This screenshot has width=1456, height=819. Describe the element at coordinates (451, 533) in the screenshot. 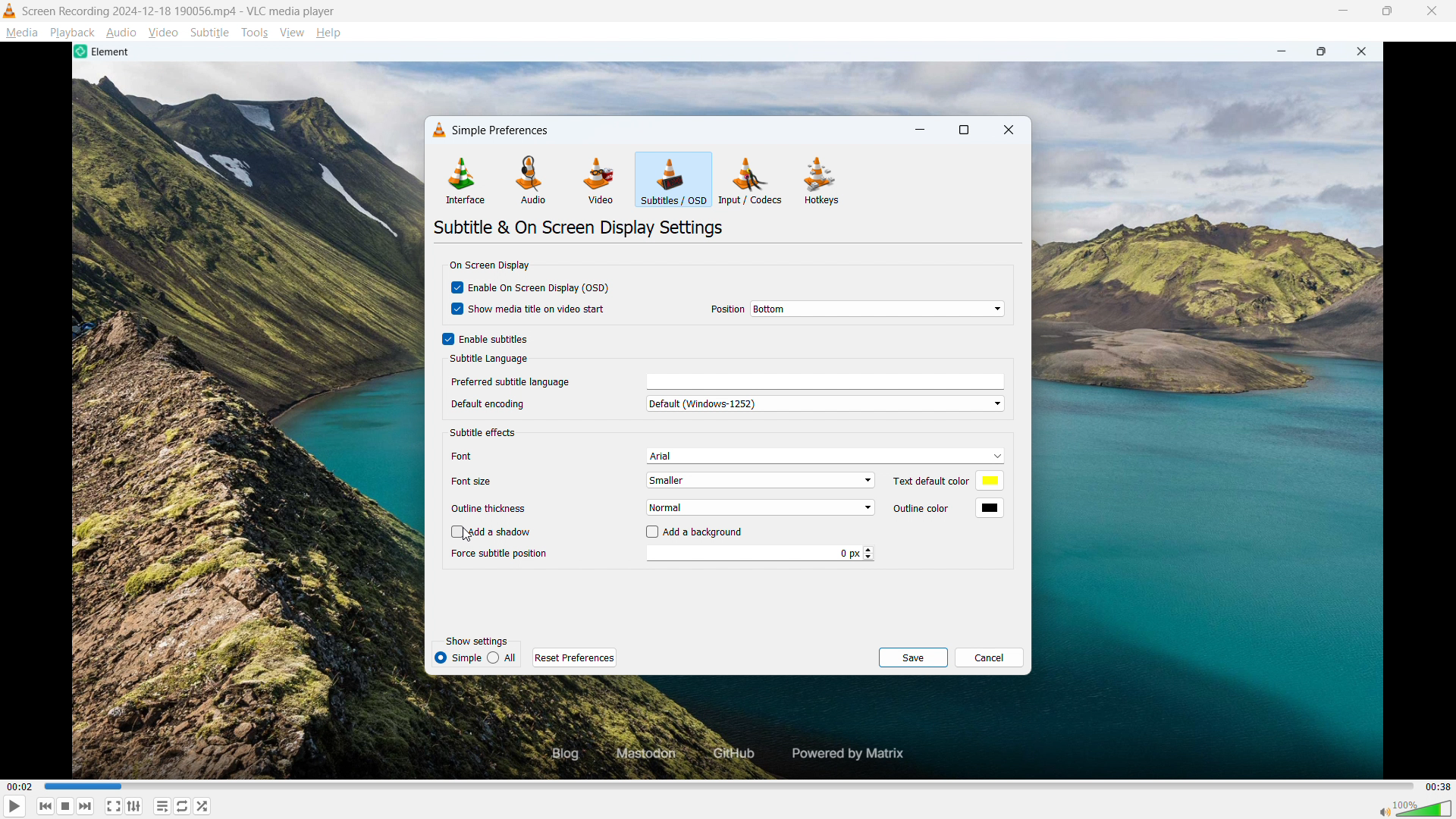

I see `checkbox` at that location.